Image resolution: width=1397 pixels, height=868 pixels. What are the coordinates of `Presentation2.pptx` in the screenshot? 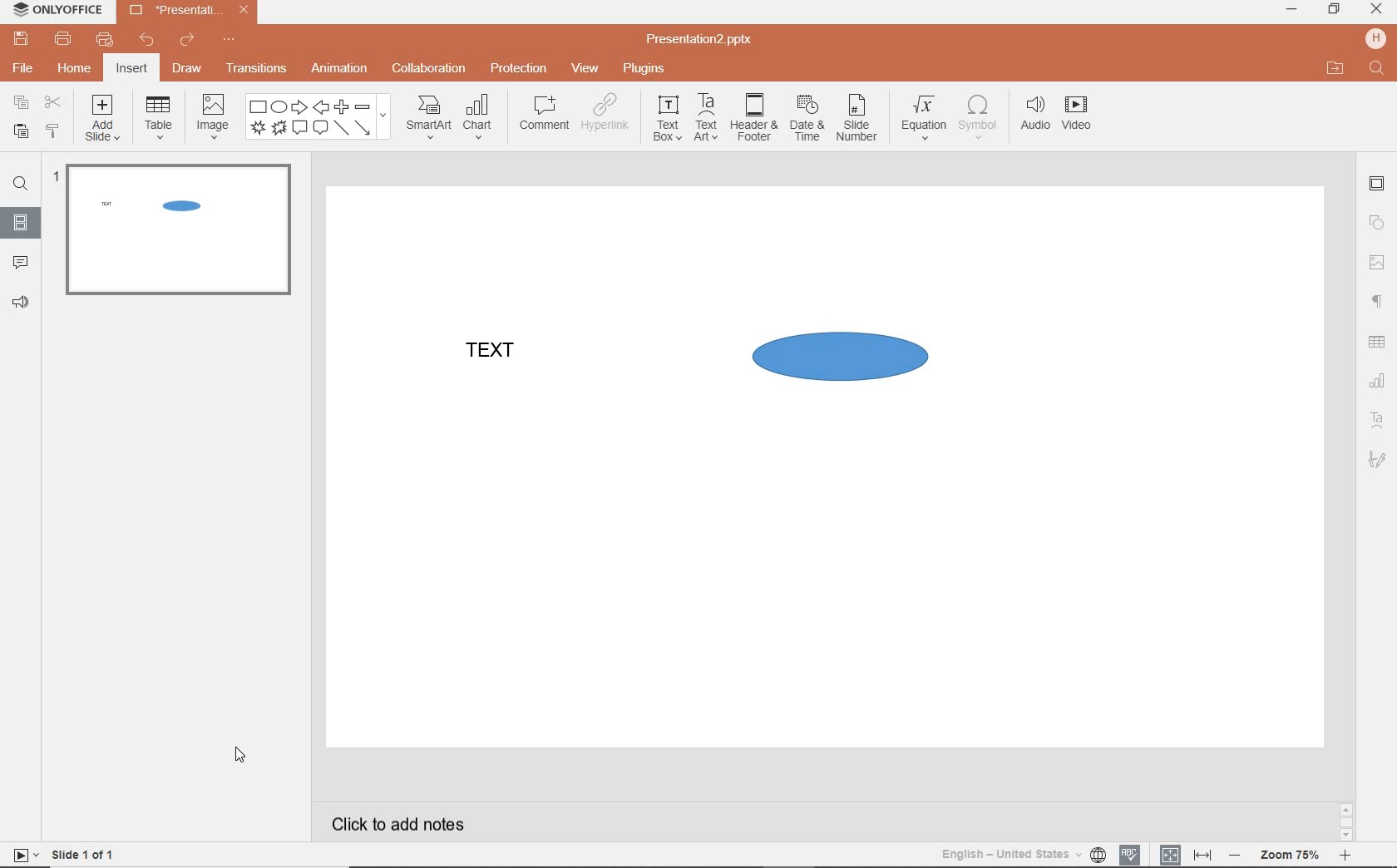 It's located at (187, 12).